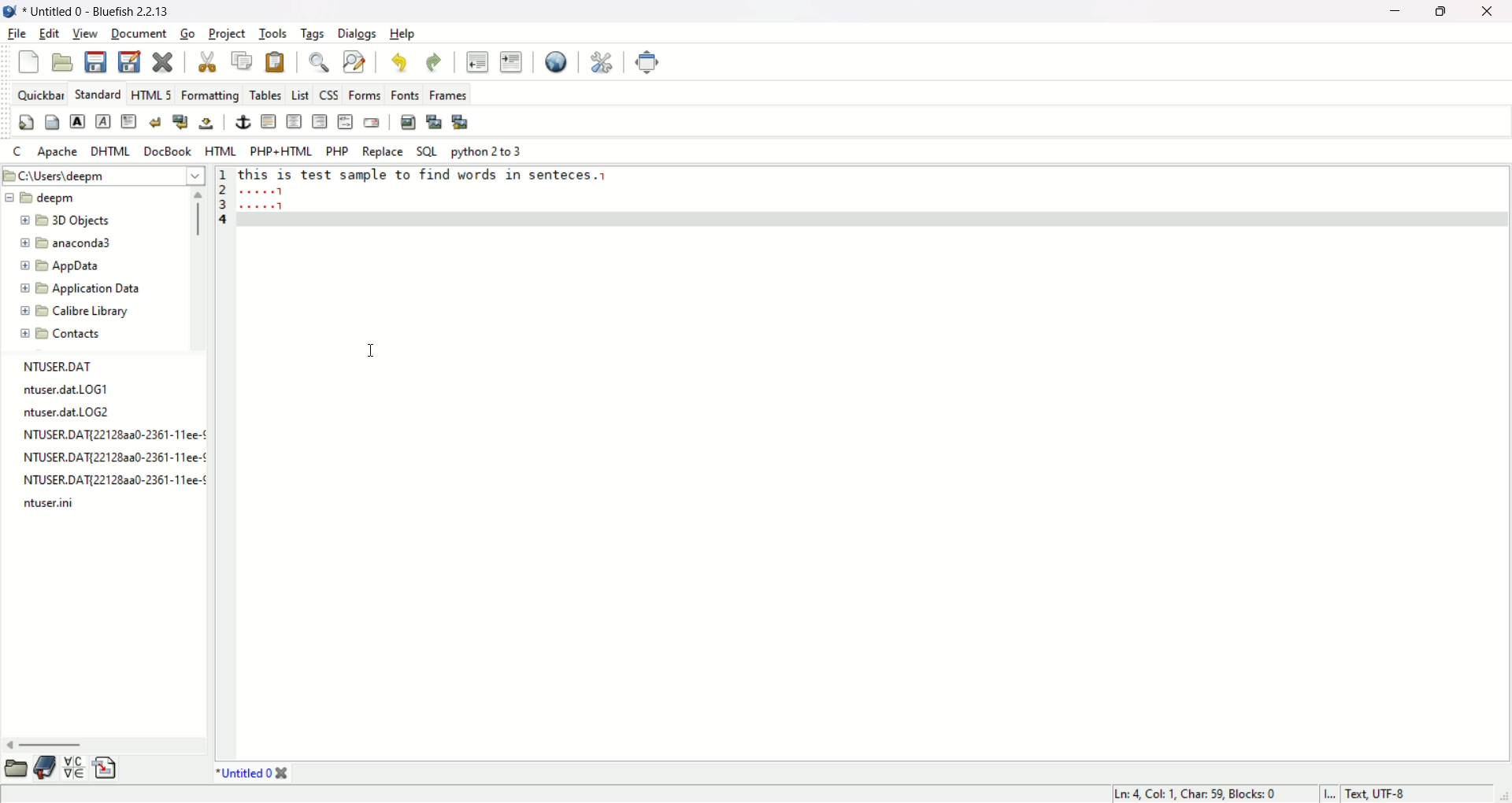 The height and width of the screenshot is (803, 1512). What do you see at coordinates (112, 152) in the screenshot?
I see `DHTML` at bounding box center [112, 152].